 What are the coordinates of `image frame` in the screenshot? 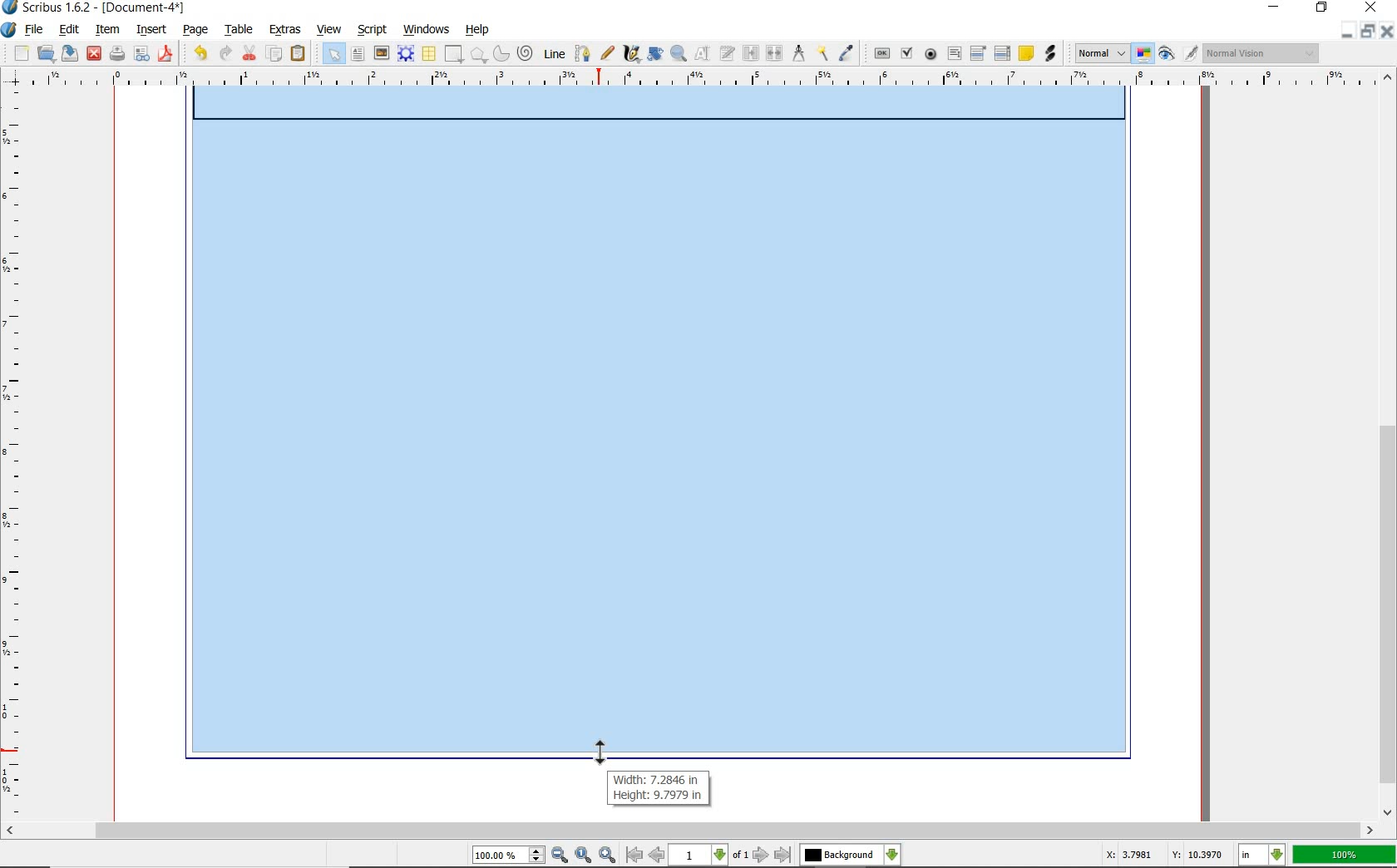 It's located at (382, 55).